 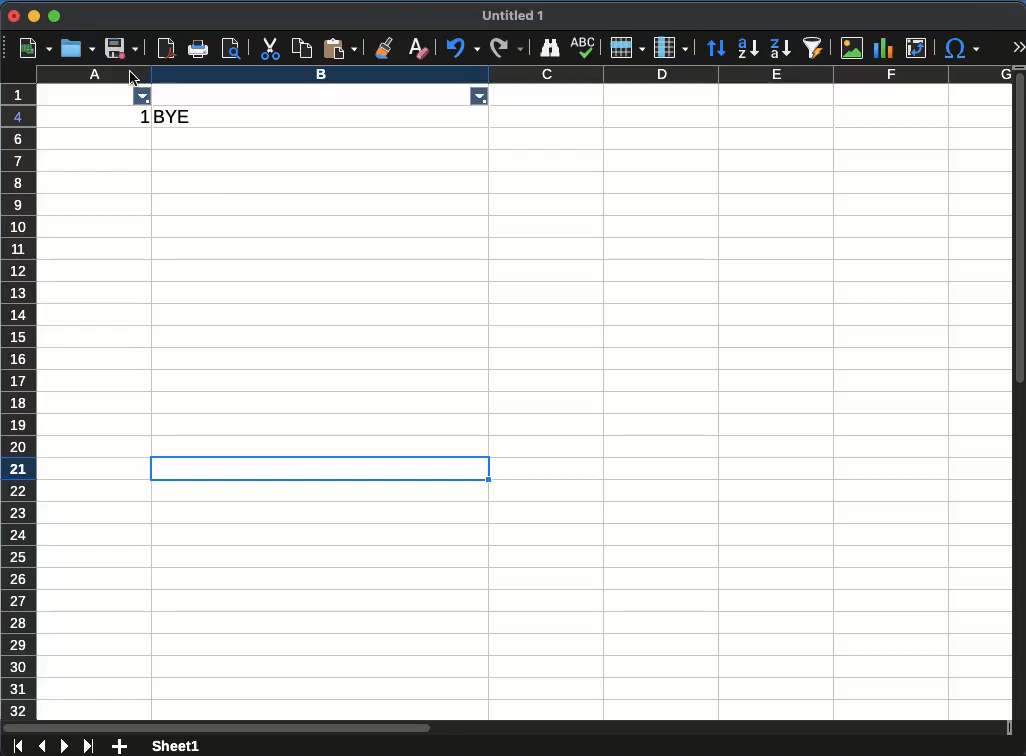 I want to click on scroll, so click(x=1020, y=394).